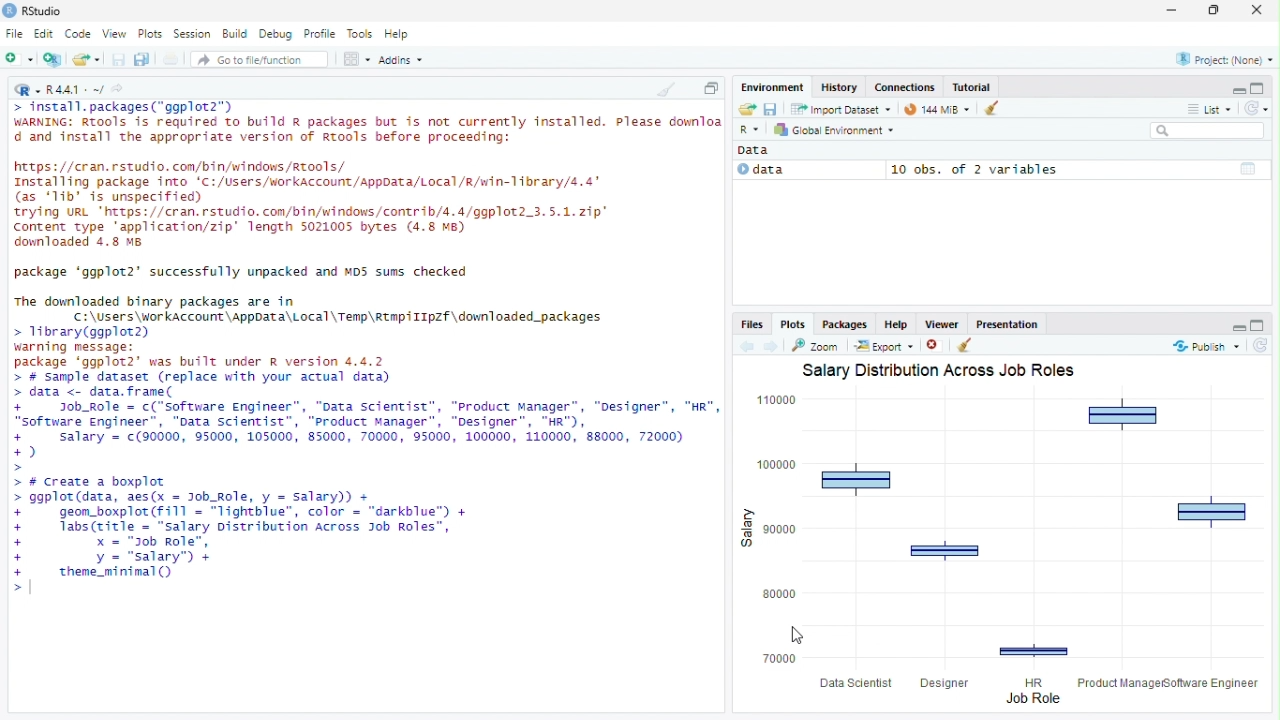 This screenshot has height=720, width=1280. I want to click on Build, so click(234, 35).